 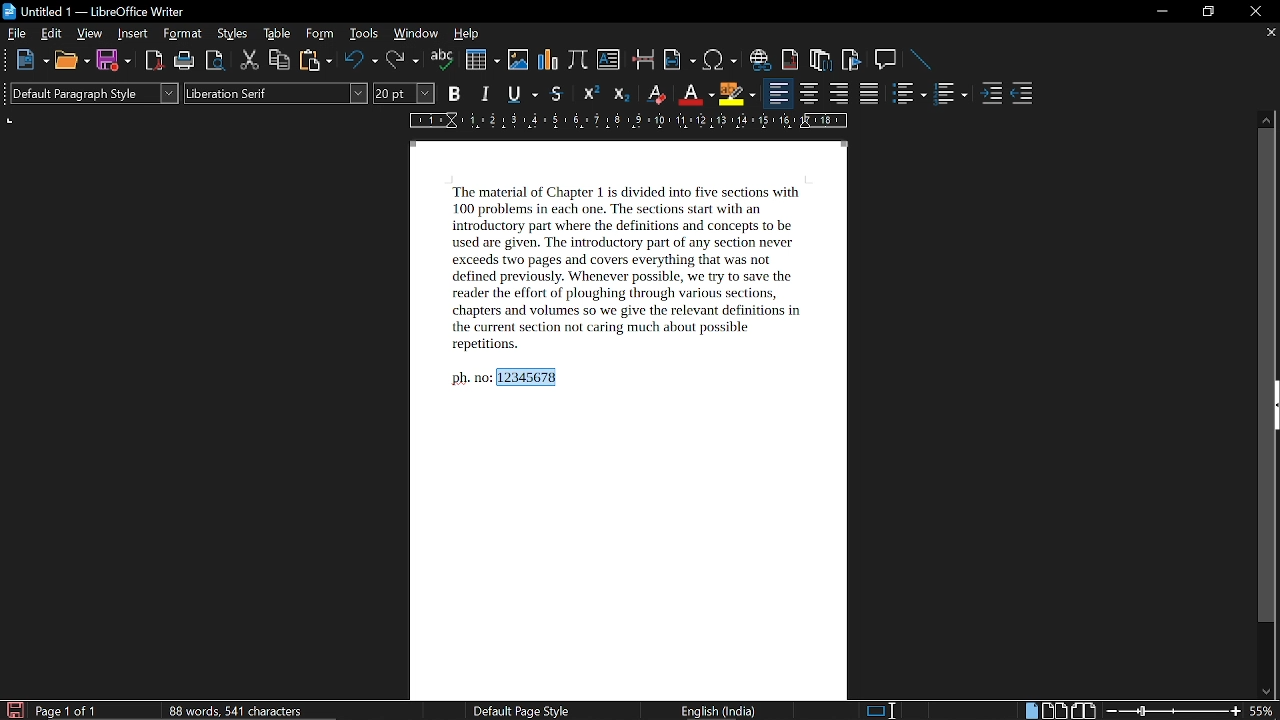 What do you see at coordinates (52, 35) in the screenshot?
I see `edit` at bounding box center [52, 35].